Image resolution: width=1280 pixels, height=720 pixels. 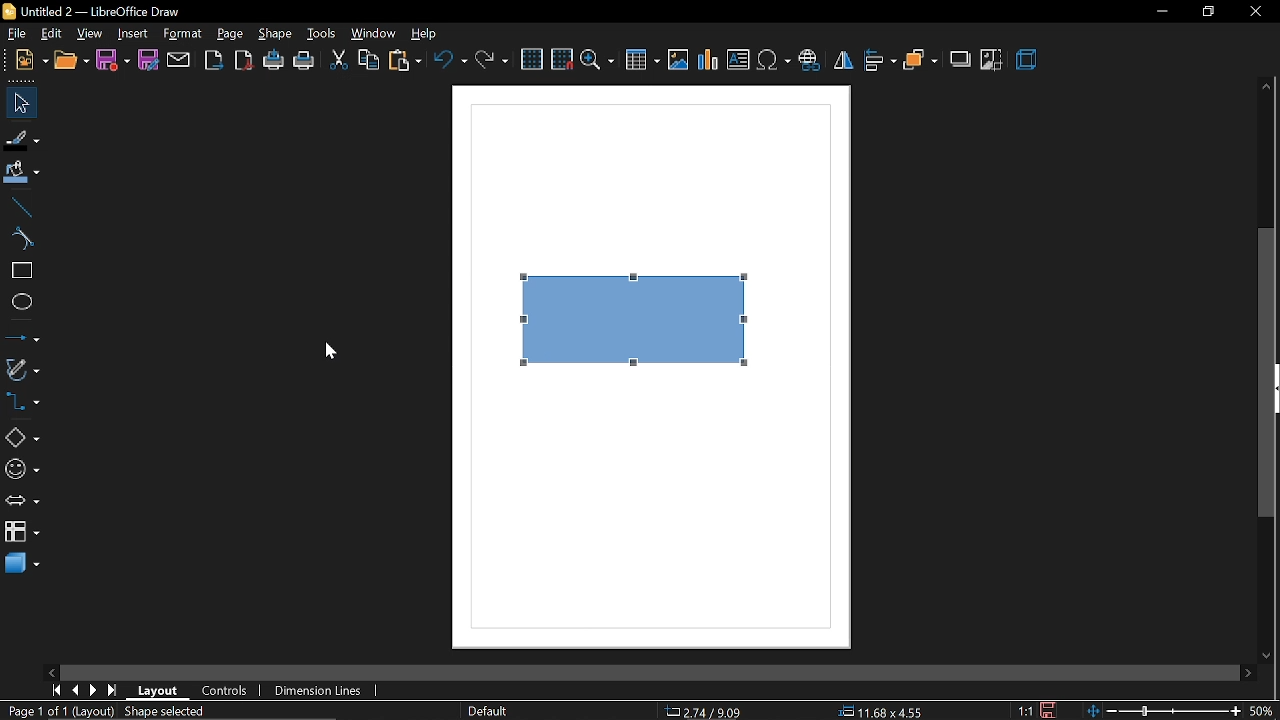 What do you see at coordinates (403, 61) in the screenshot?
I see `paste` at bounding box center [403, 61].